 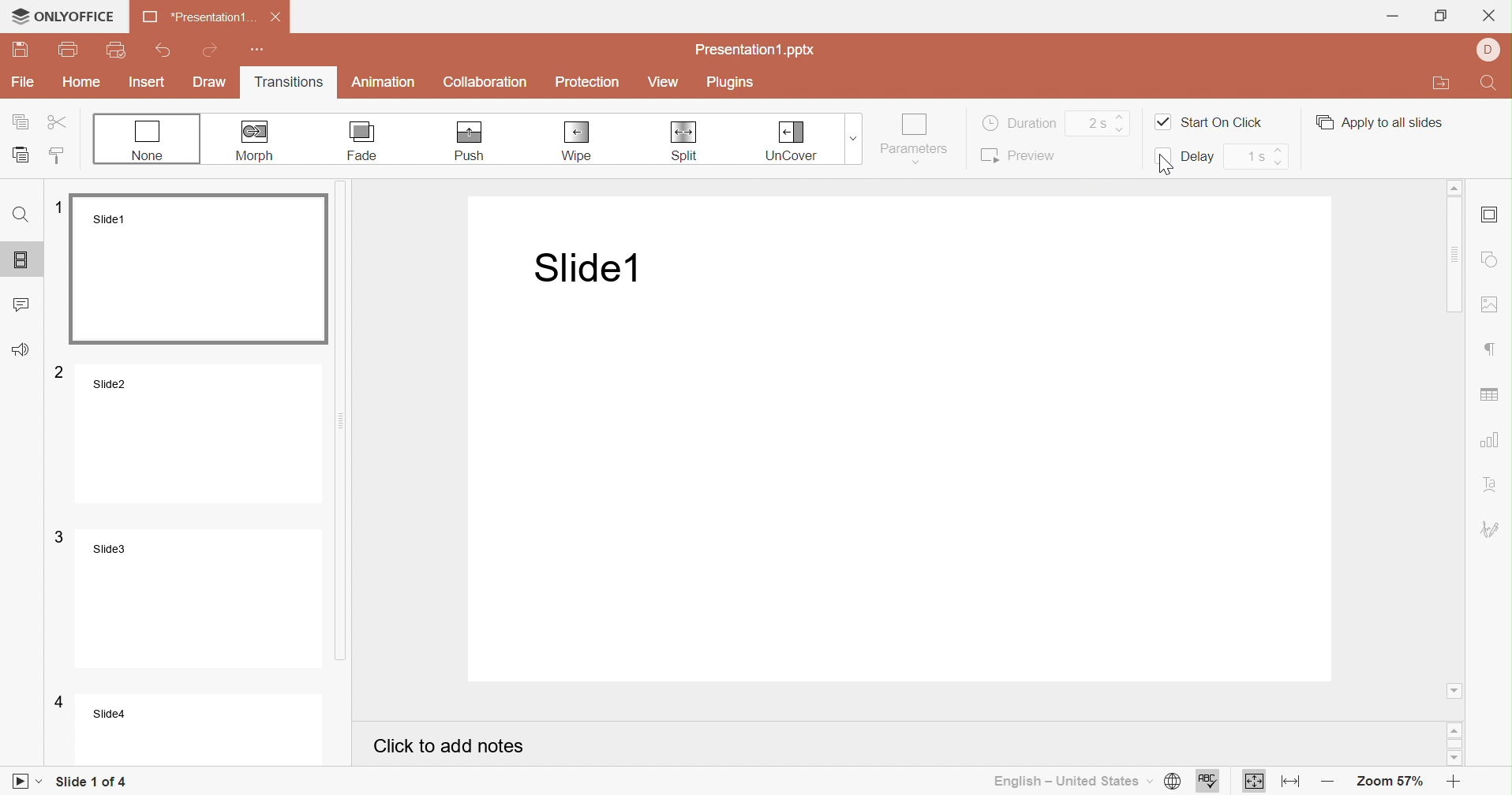 I want to click on Feedback & Support, so click(x=21, y=349).